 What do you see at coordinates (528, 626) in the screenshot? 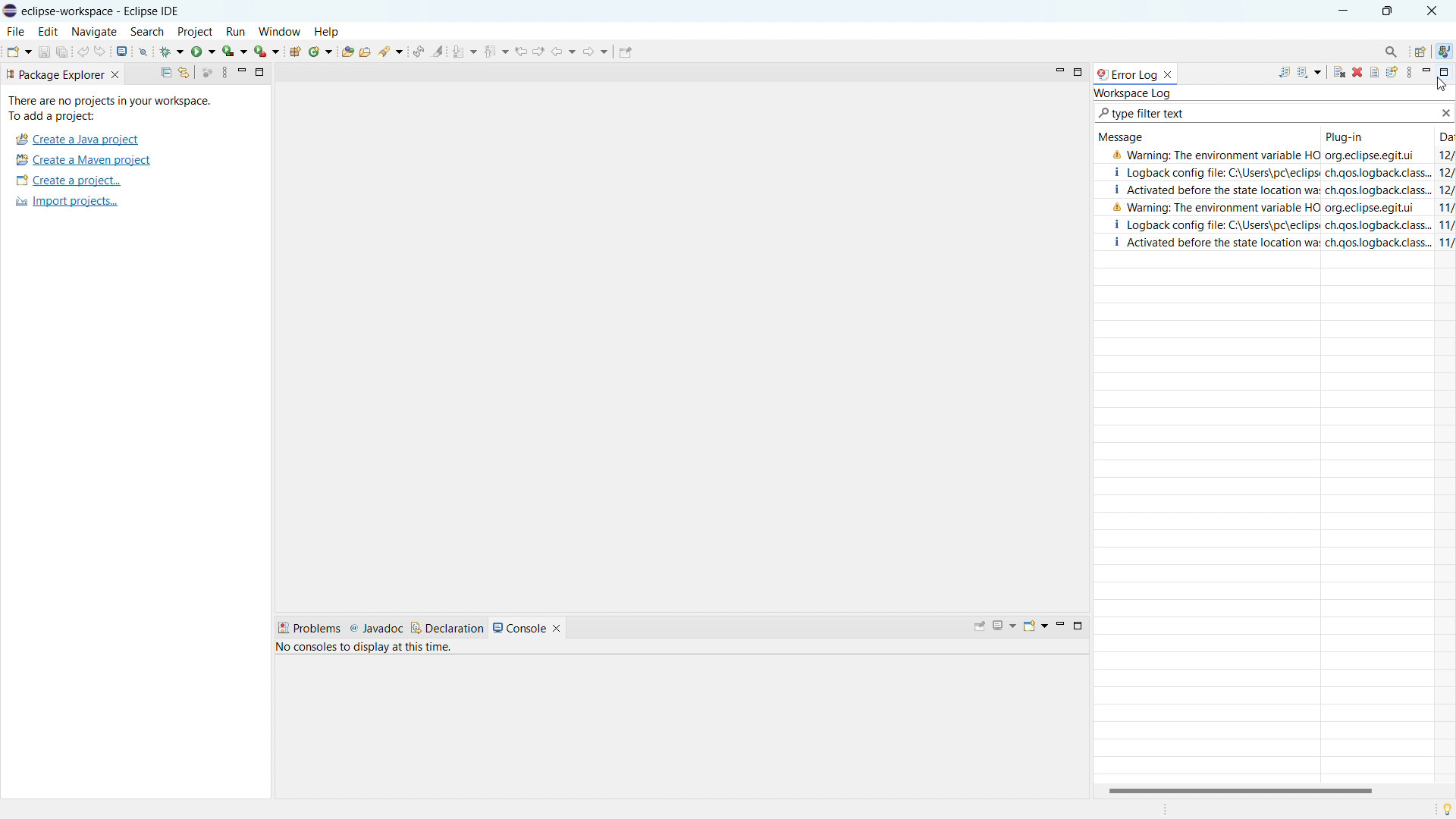
I see `console` at bounding box center [528, 626].